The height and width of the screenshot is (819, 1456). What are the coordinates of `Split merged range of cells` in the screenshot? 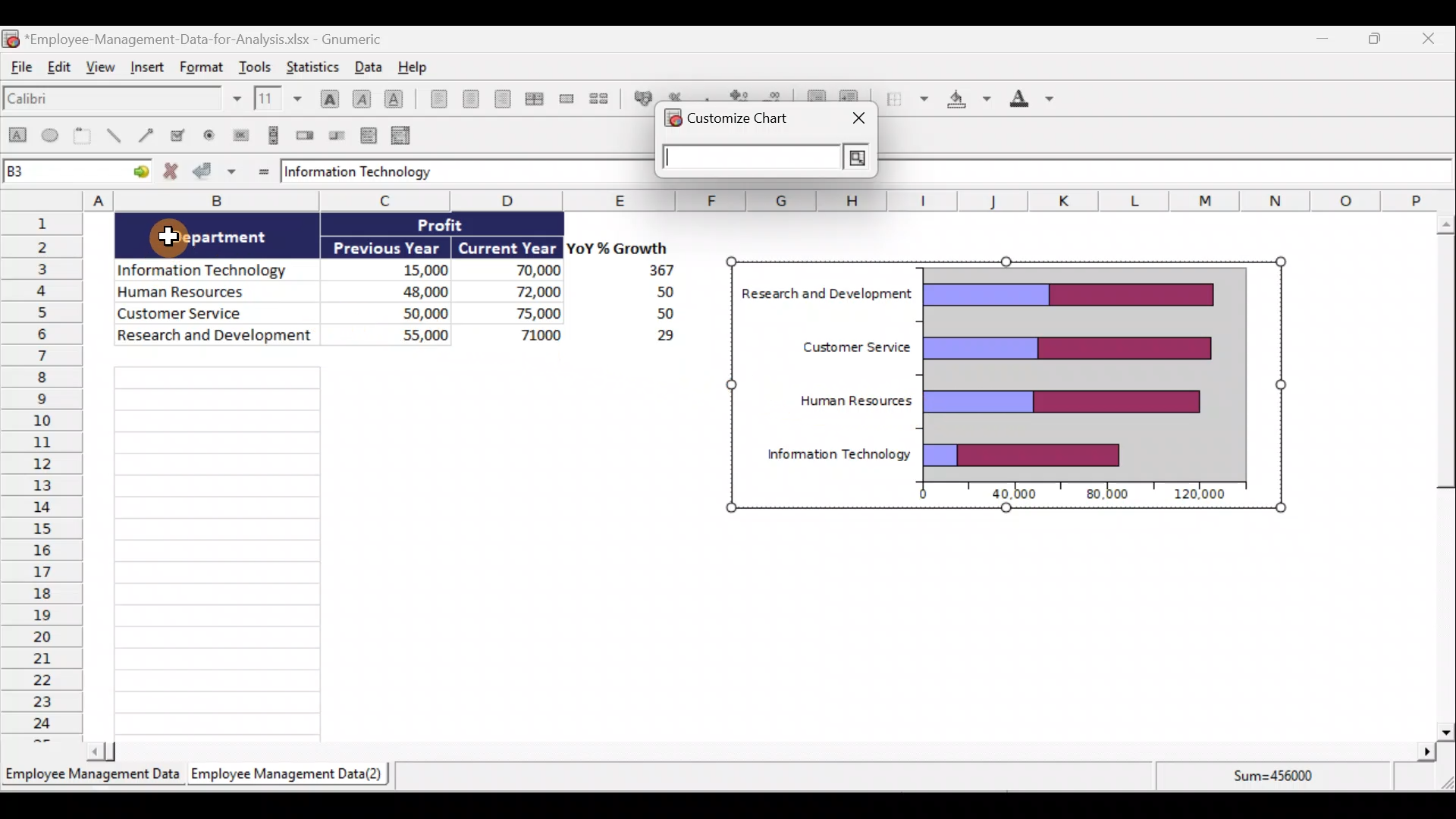 It's located at (599, 98).